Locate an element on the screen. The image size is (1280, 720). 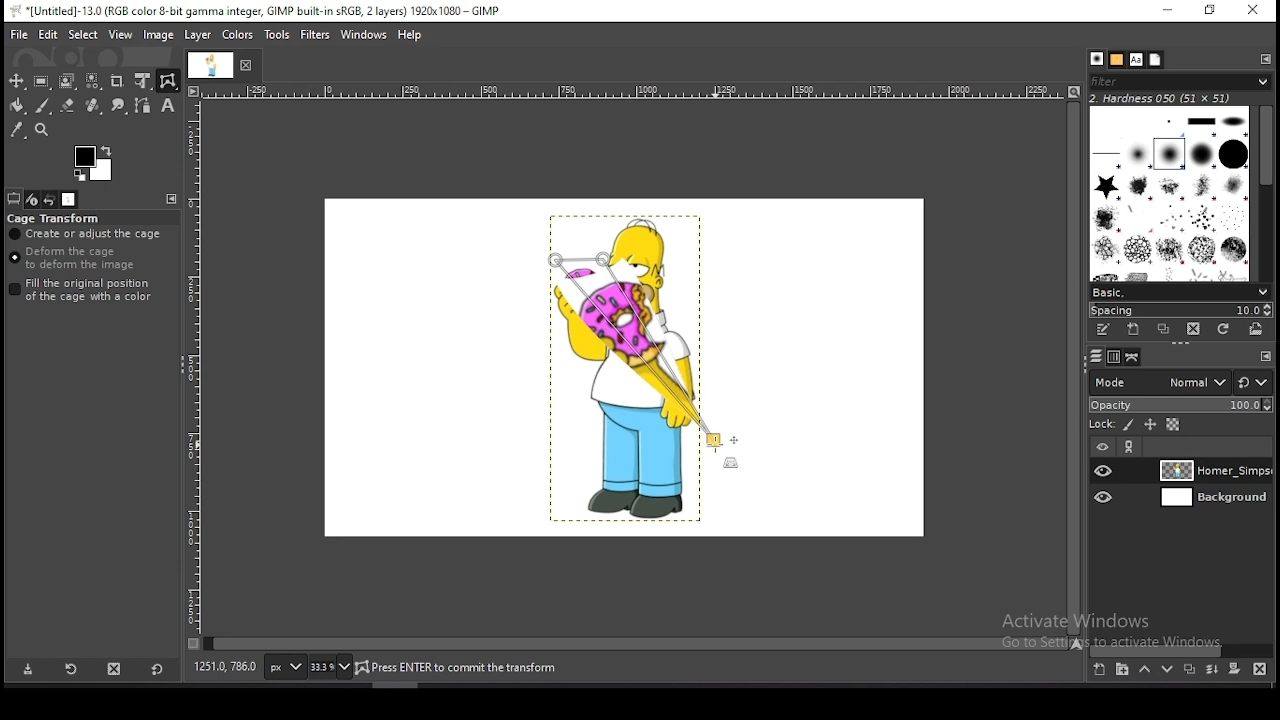
zoom status is located at coordinates (329, 667).